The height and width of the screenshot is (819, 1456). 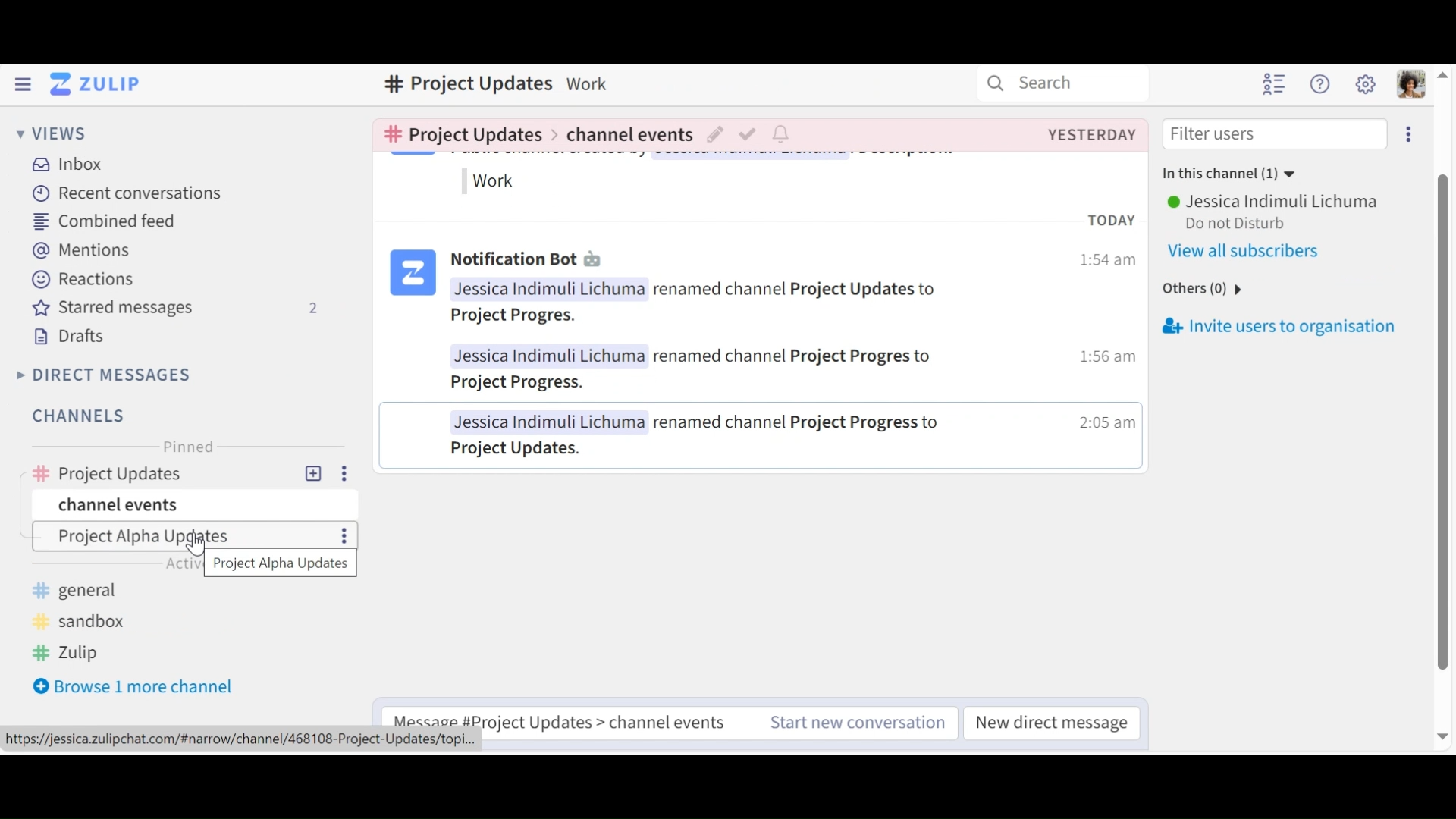 What do you see at coordinates (1117, 223) in the screenshot?
I see `TODAY` at bounding box center [1117, 223].